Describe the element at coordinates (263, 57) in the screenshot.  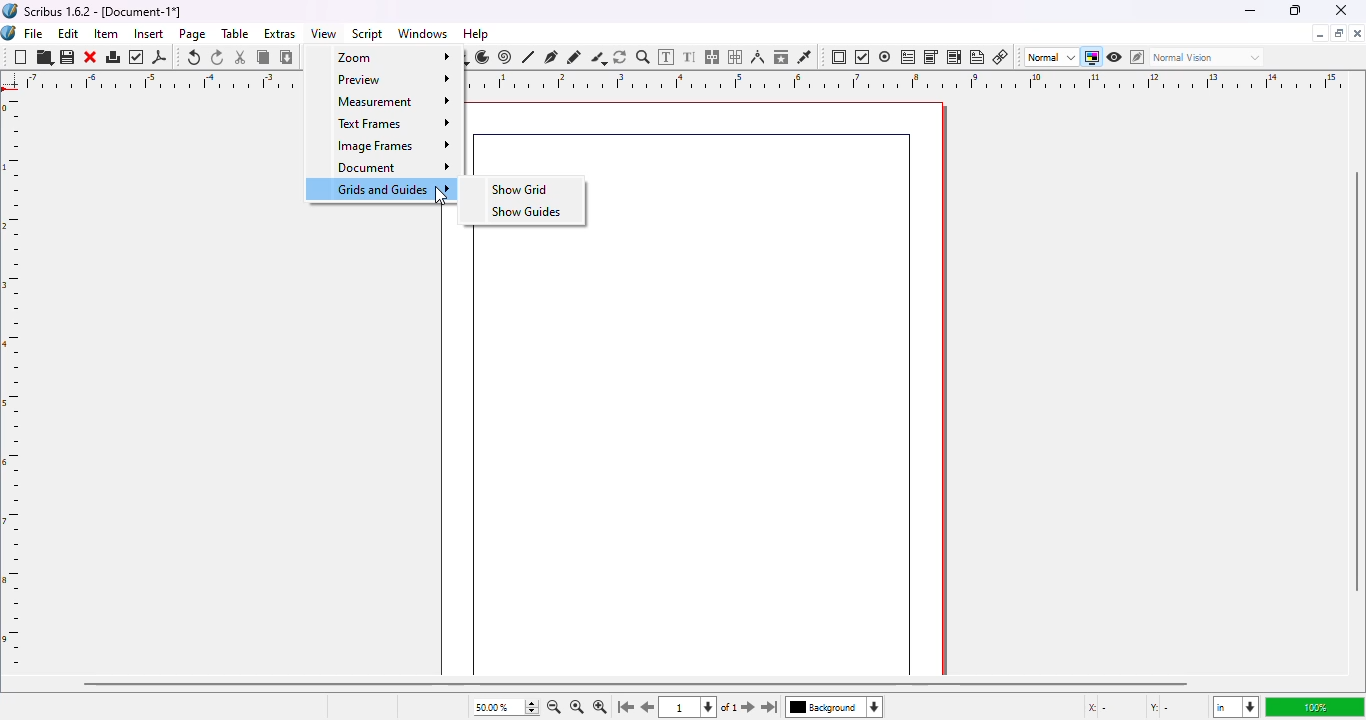
I see `copy` at that location.